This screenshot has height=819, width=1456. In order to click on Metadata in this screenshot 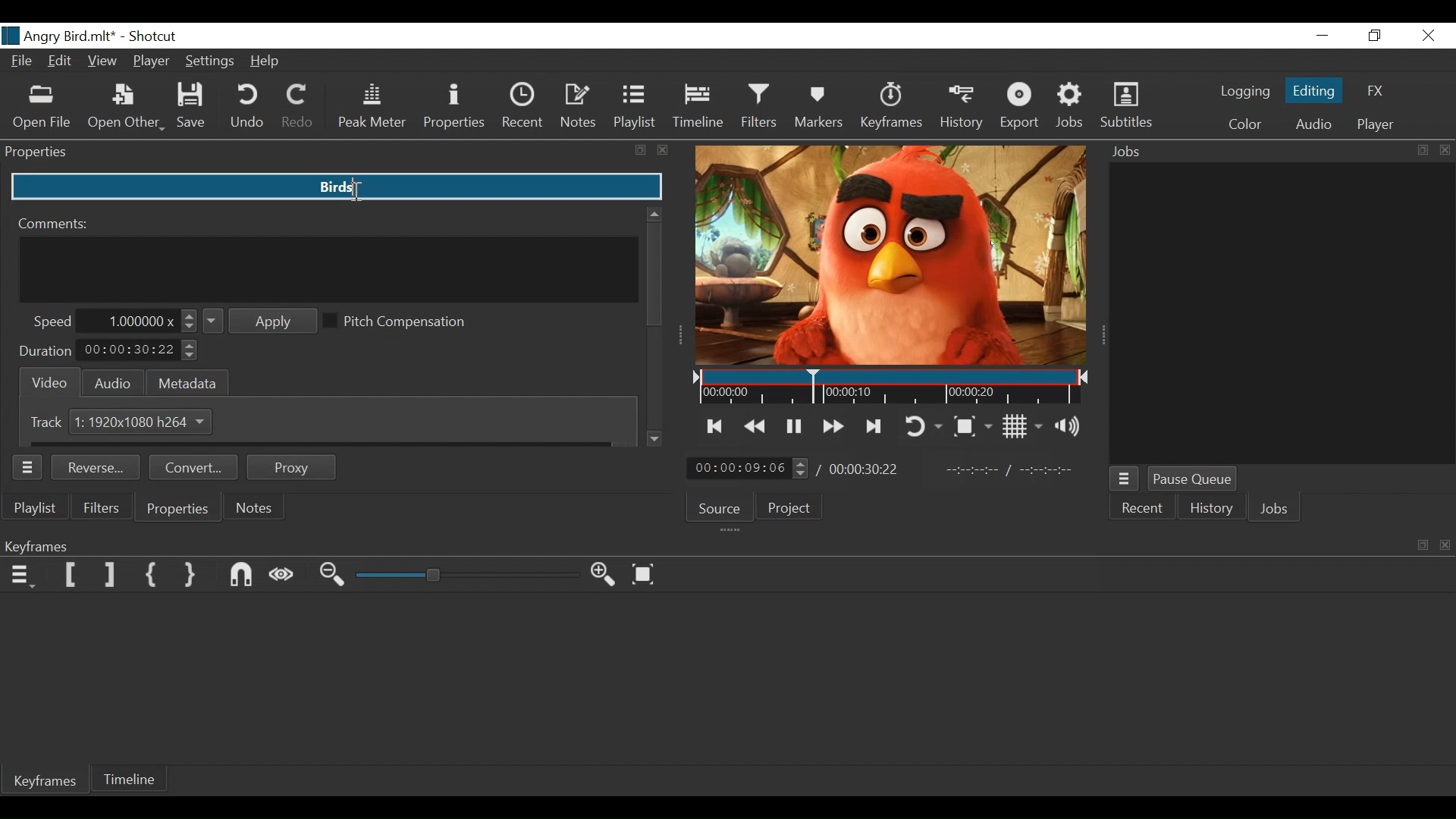, I will do `click(188, 381)`.